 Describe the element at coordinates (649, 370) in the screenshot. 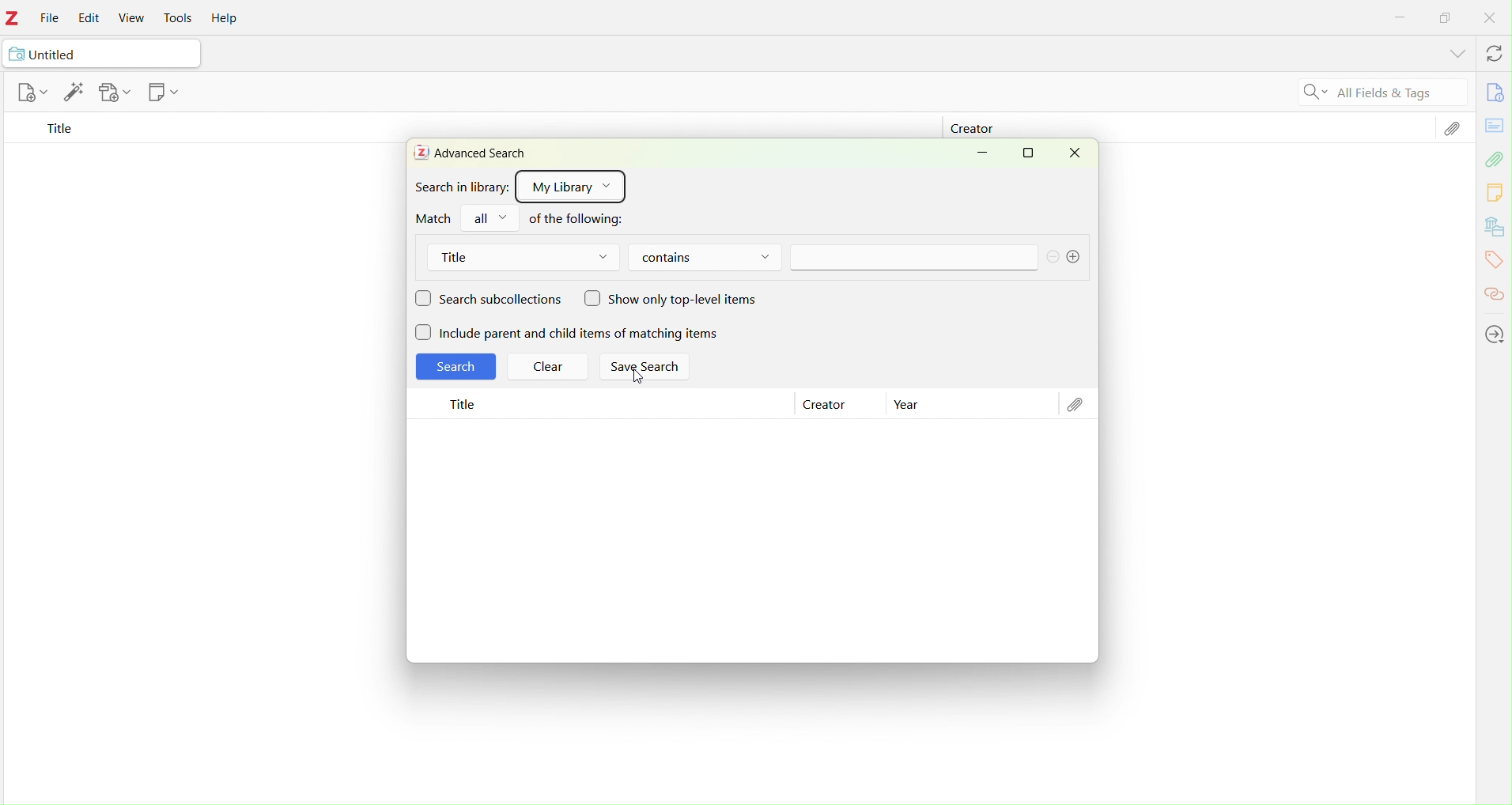

I see `Save search` at that location.